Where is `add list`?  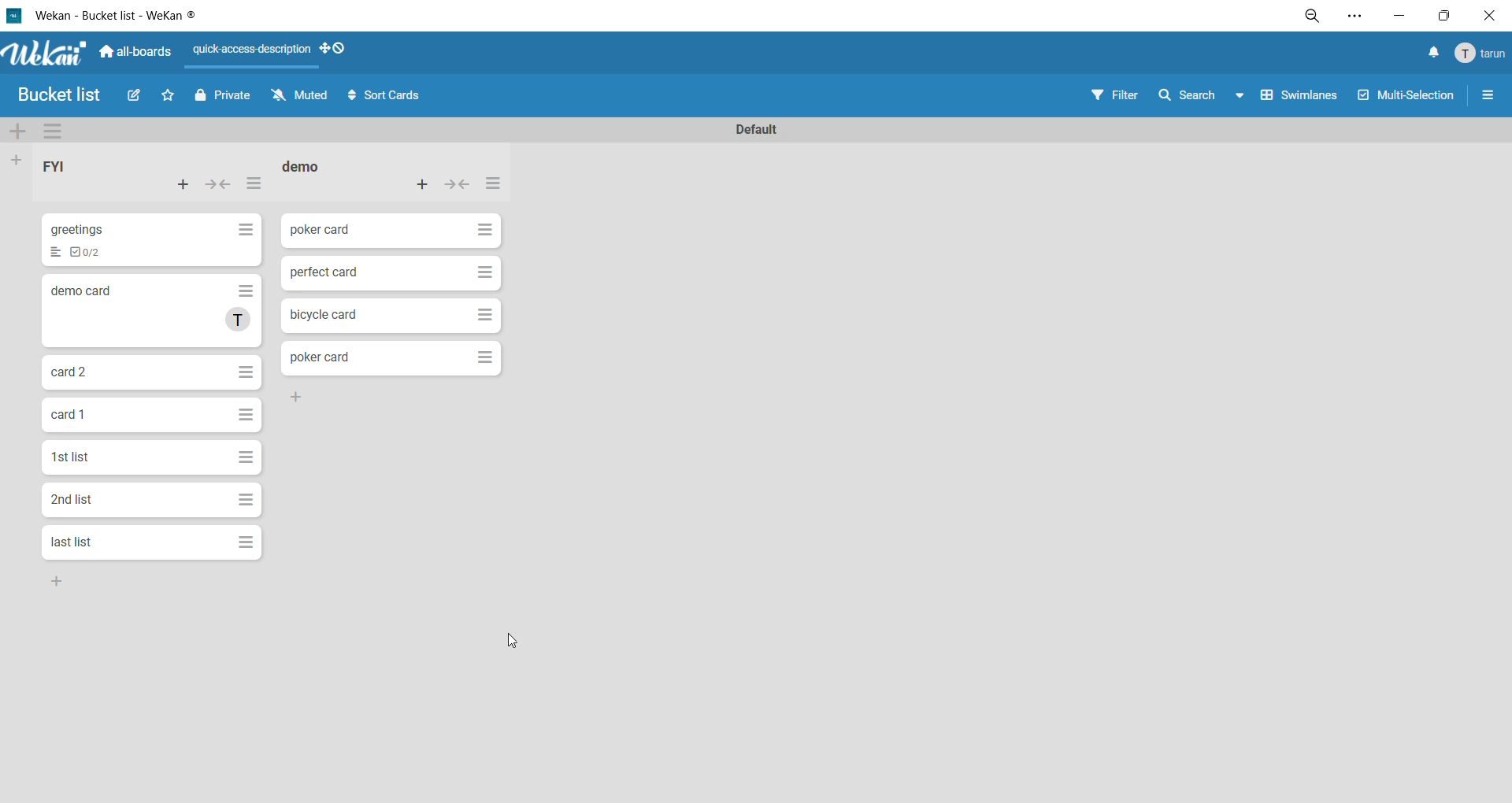 add list is located at coordinates (20, 160).